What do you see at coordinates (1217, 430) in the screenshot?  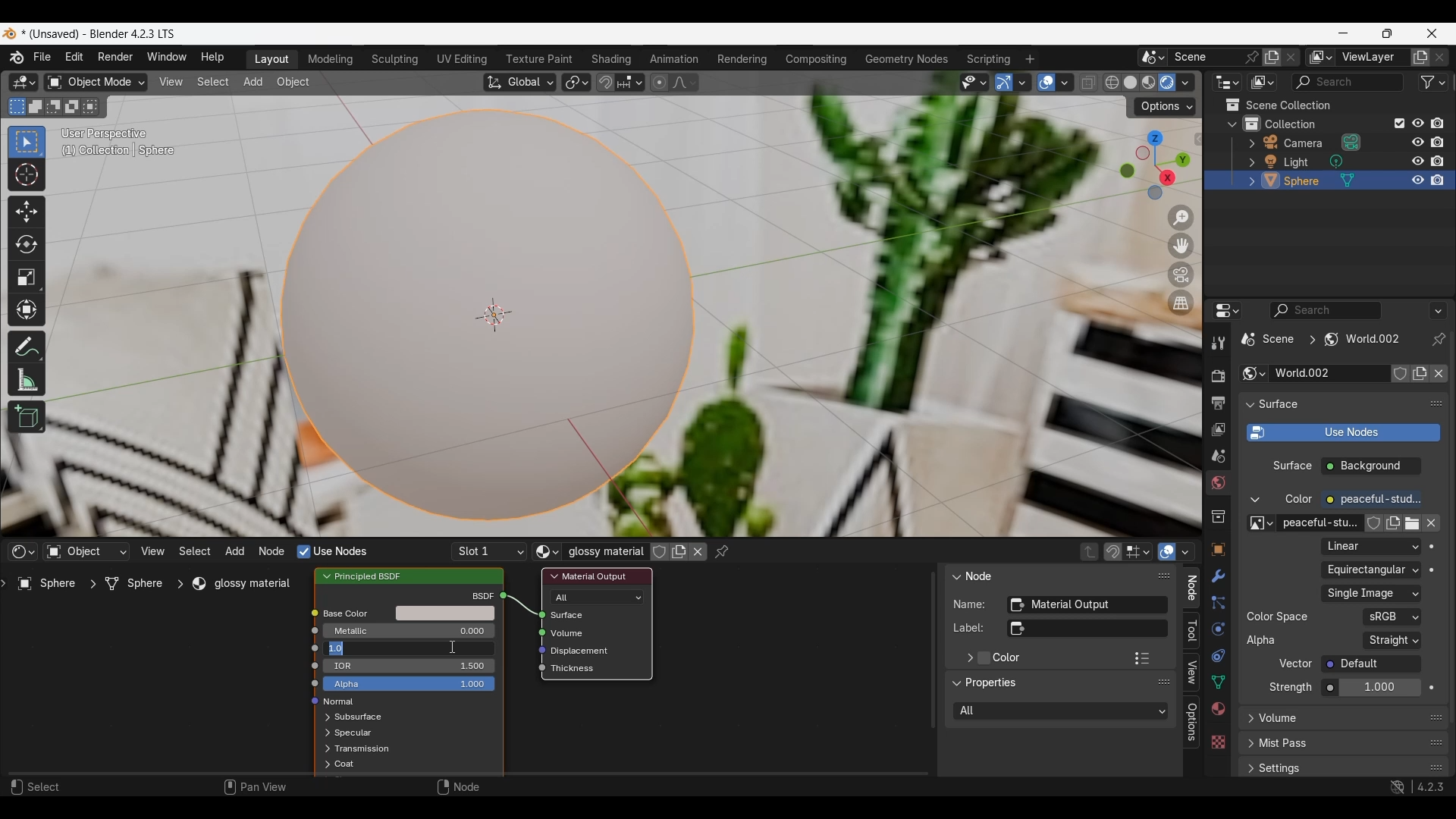 I see `View layer properties` at bounding box center [1217, 430].